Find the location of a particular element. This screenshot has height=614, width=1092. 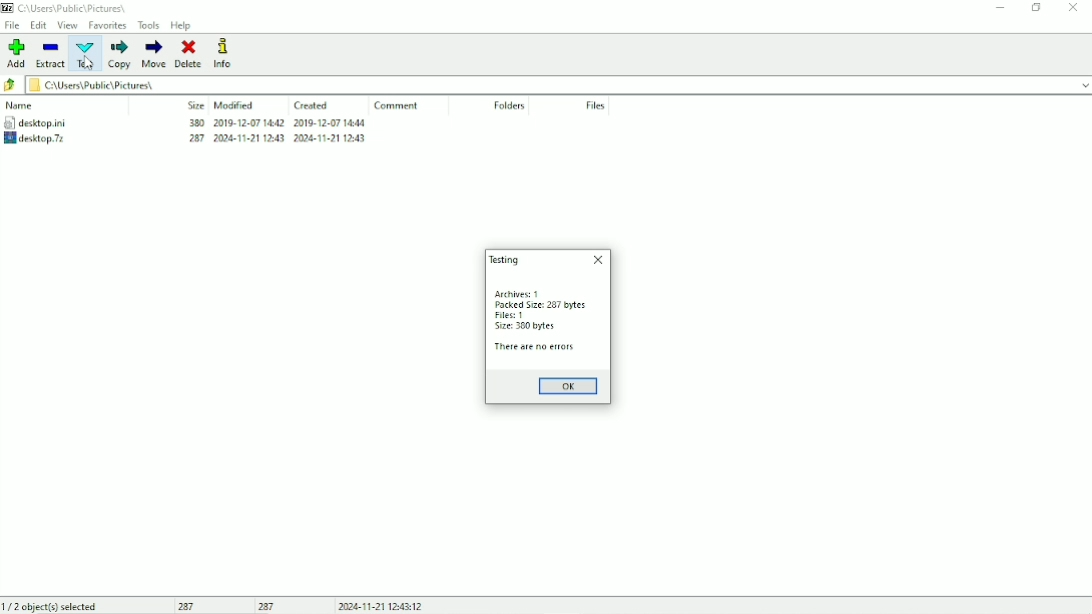

Size is located at coordinates (195, 105).